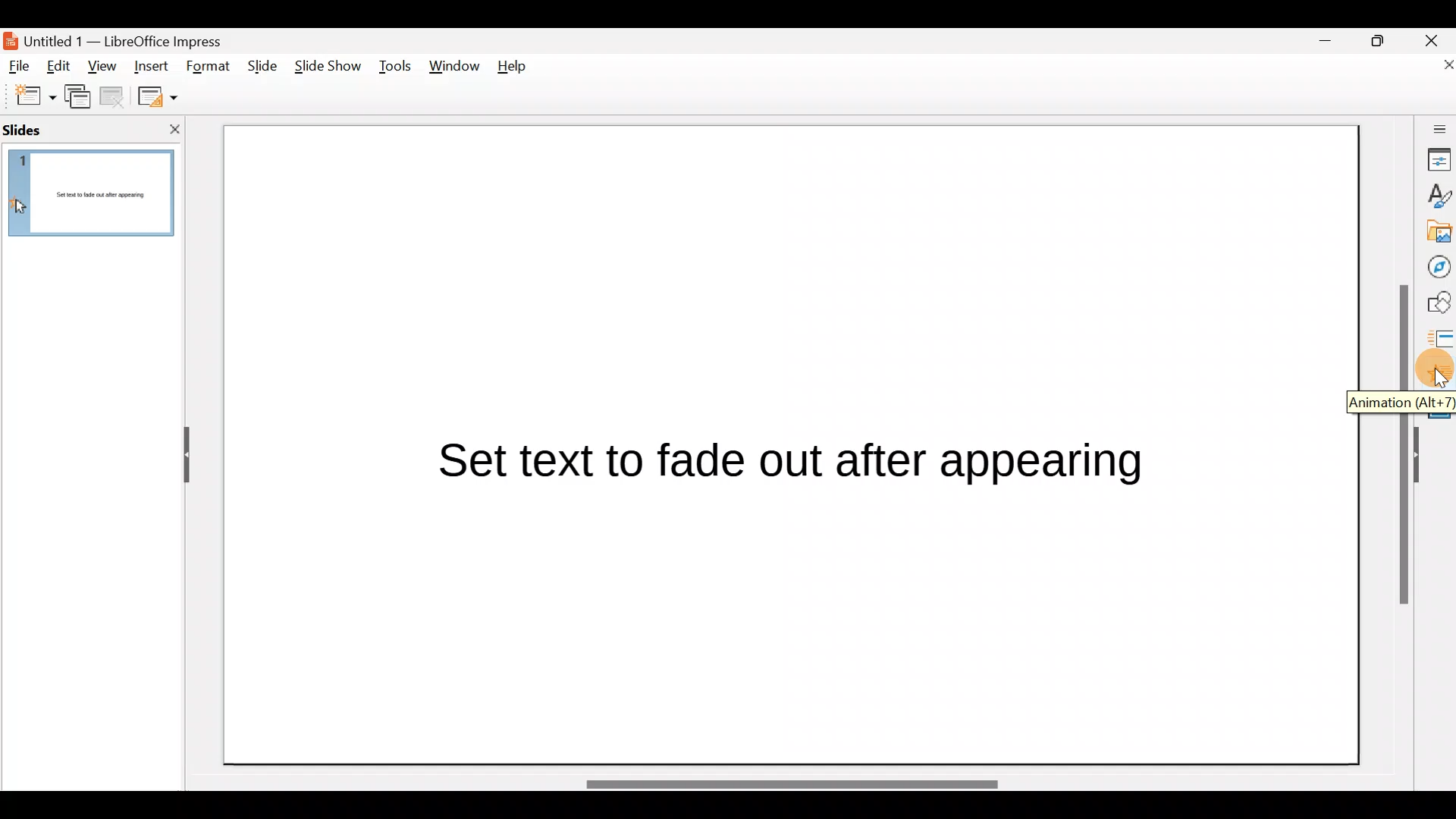 The height and width of the screenshot is (819, 1456). I want to click on Help, so click(518, 70).